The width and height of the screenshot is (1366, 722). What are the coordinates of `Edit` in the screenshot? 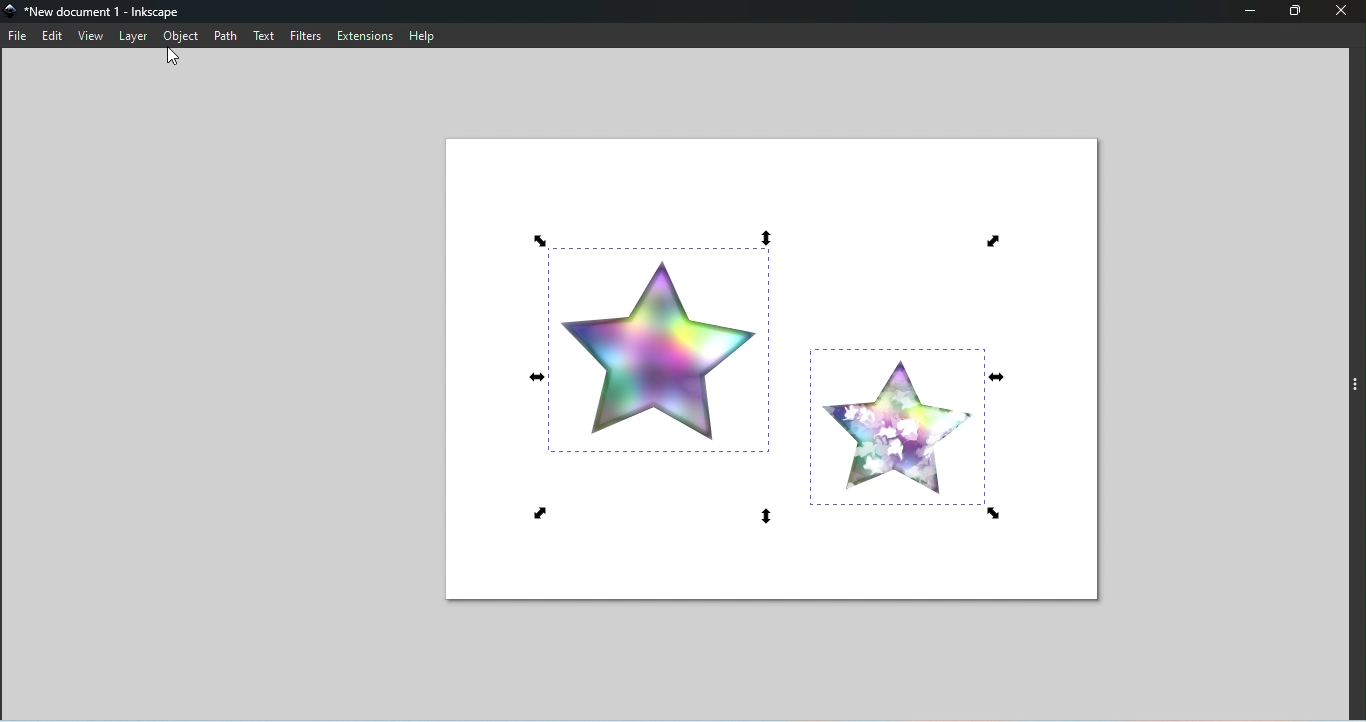 It's located at (54, 35).